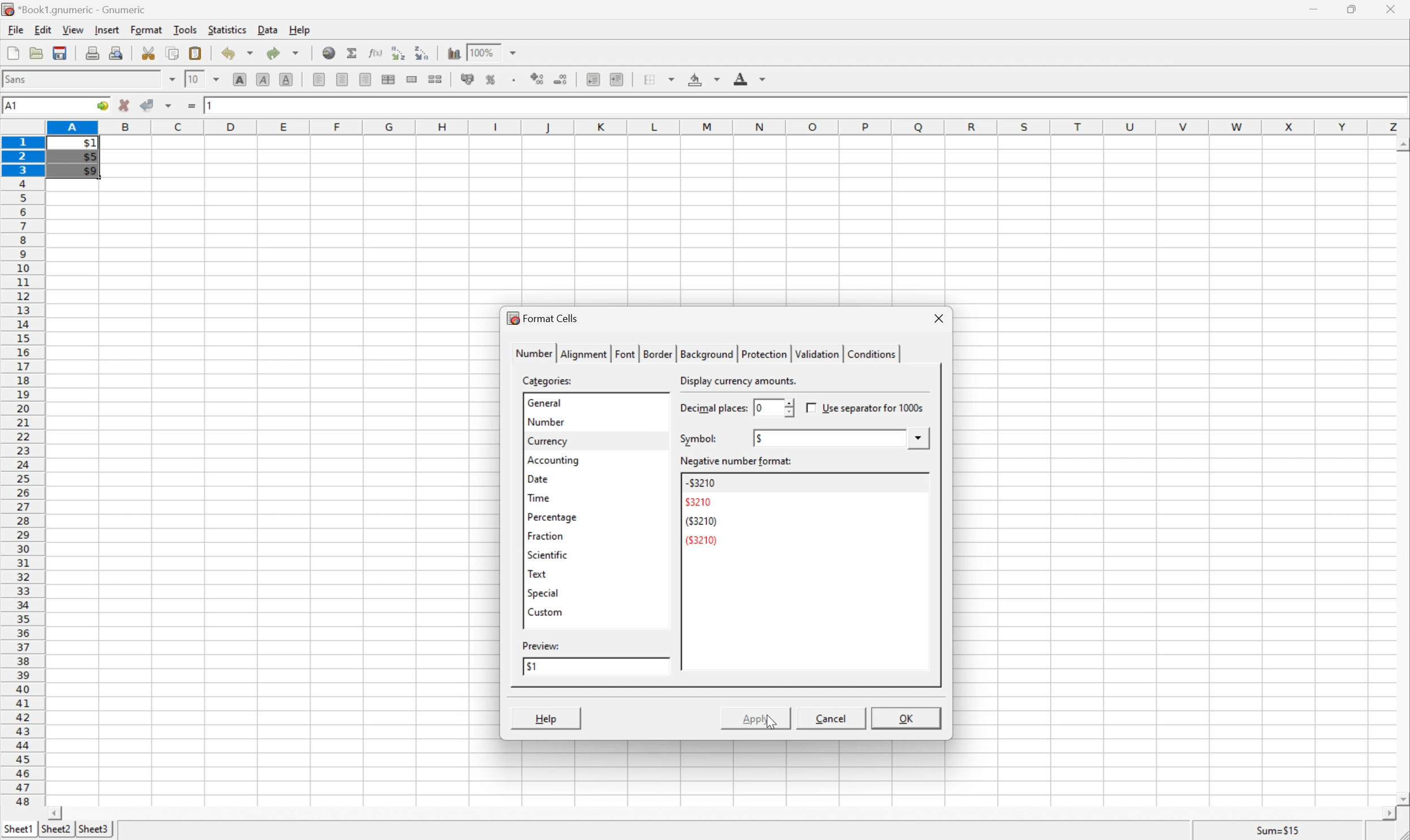  Describe the element at coordinates (172, 53) in the screenshot. I see `copy` at that location.